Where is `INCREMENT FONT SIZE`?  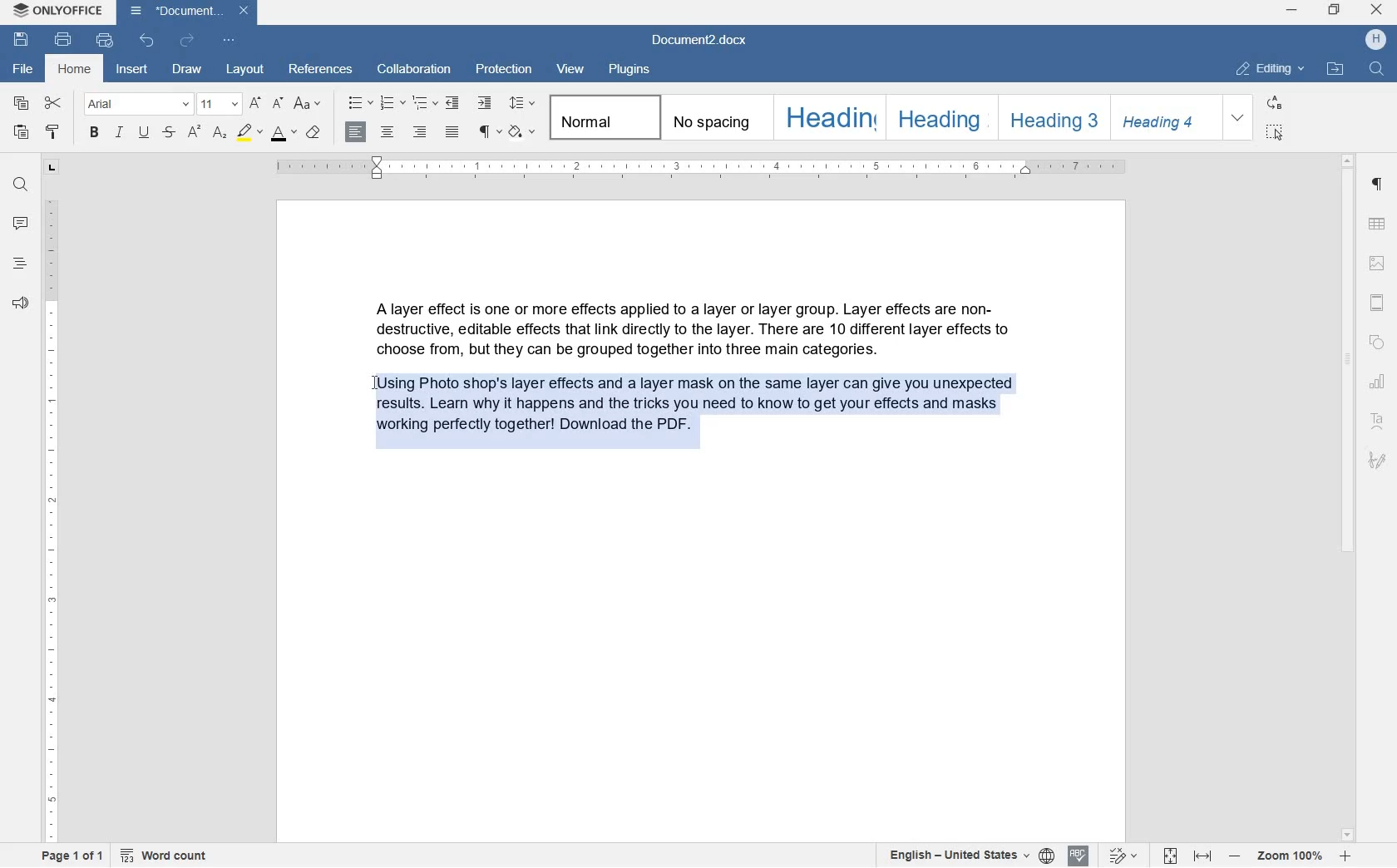
INCREMENT FONT SIZE is located at coordinates (255, 102).